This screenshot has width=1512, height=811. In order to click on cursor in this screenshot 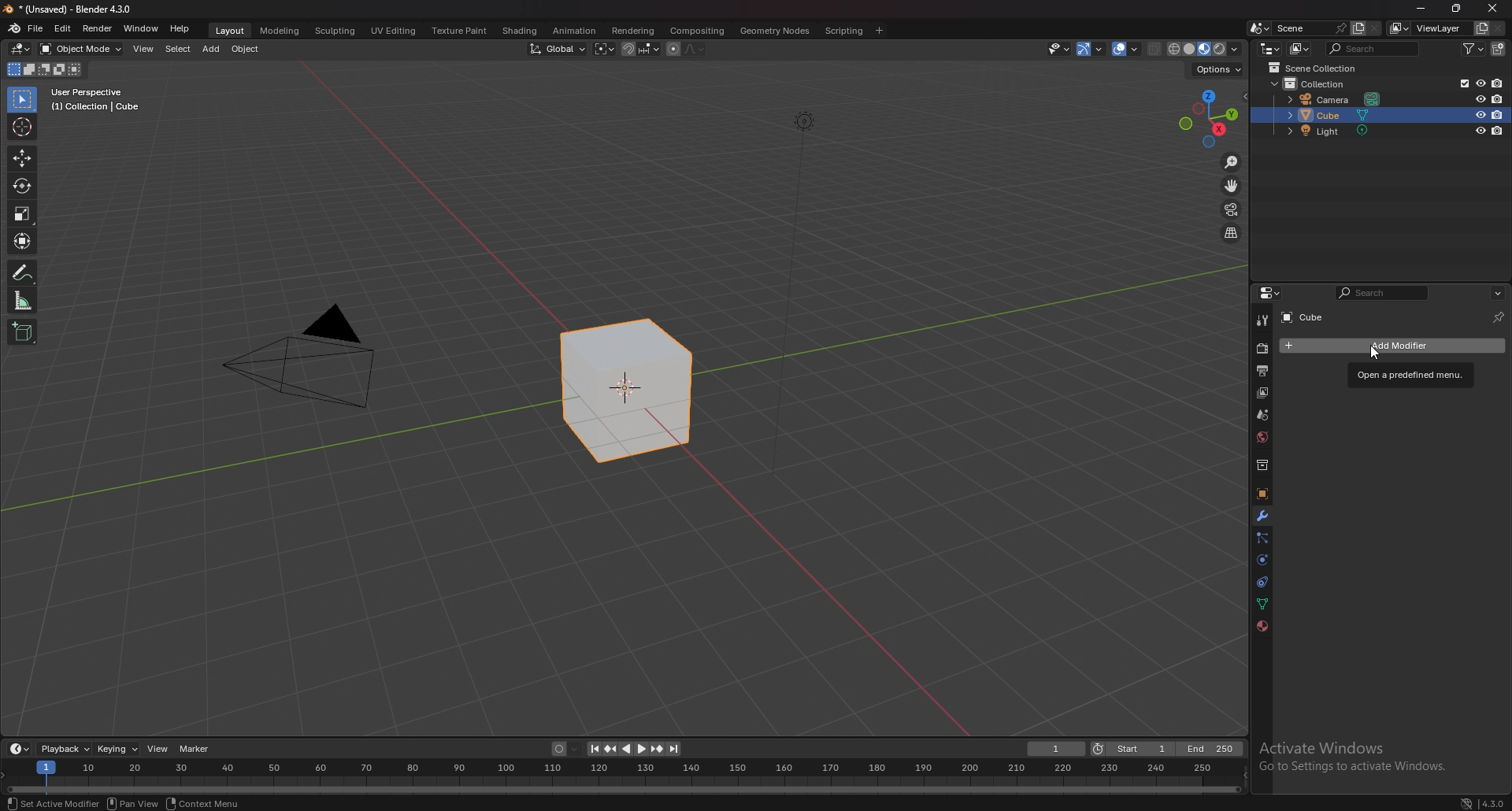, I will do `click(1382, 352)`.